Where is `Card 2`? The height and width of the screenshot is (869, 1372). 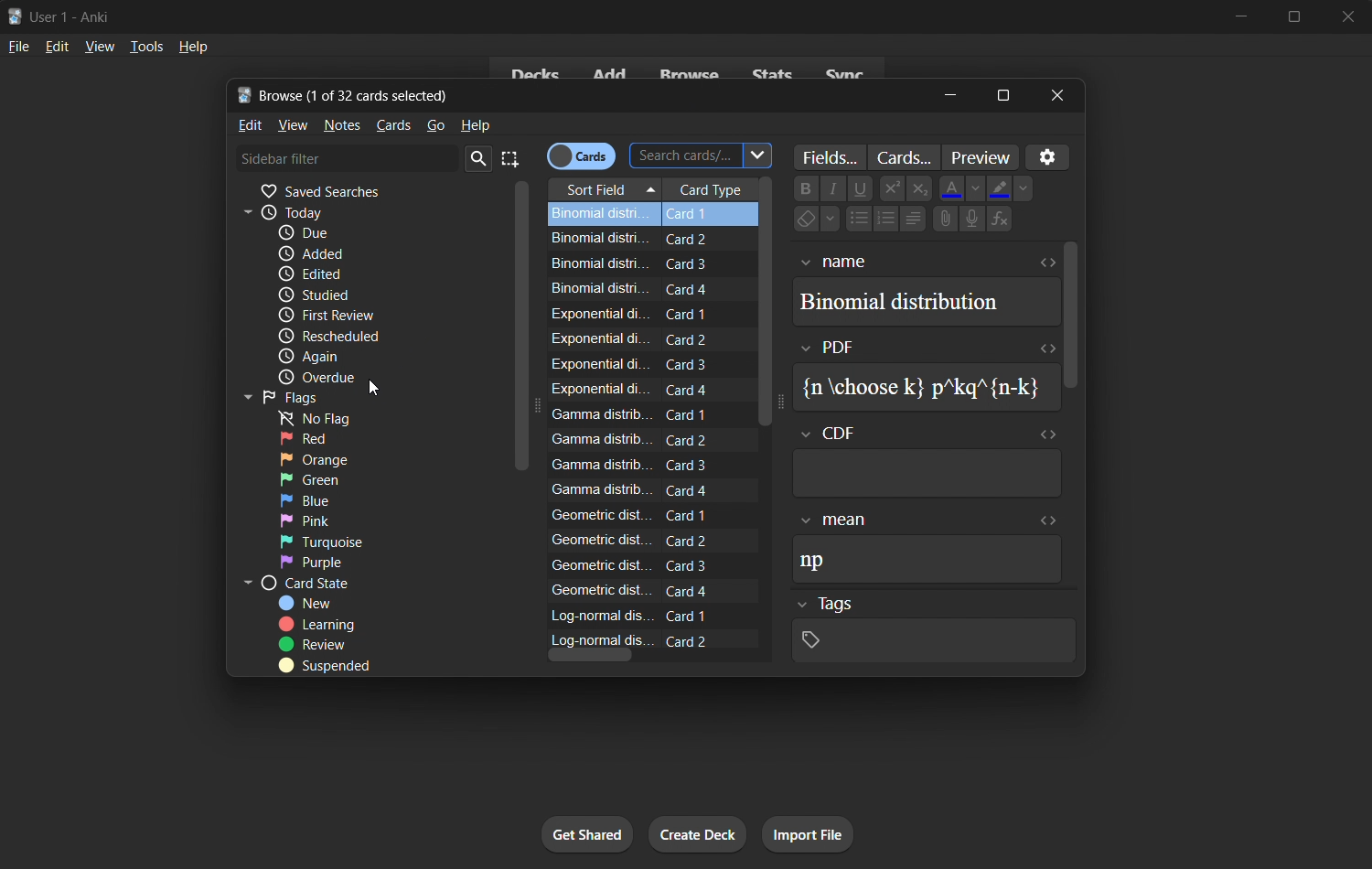 Card 2 is located at coordinates (696, 645).